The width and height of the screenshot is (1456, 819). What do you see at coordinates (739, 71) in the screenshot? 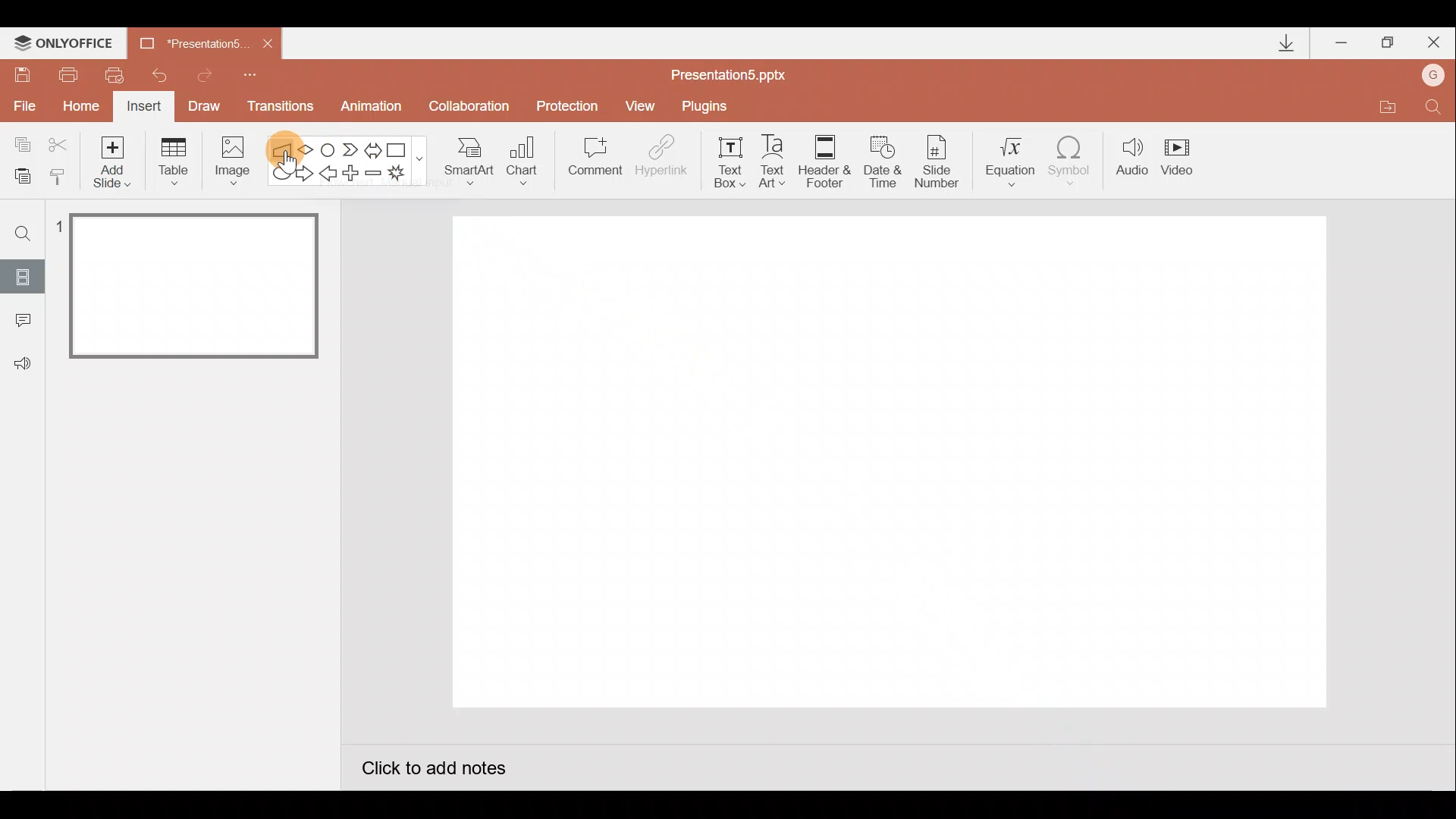
I see `Presentation5.pptx` at bounding box center [739, 71].